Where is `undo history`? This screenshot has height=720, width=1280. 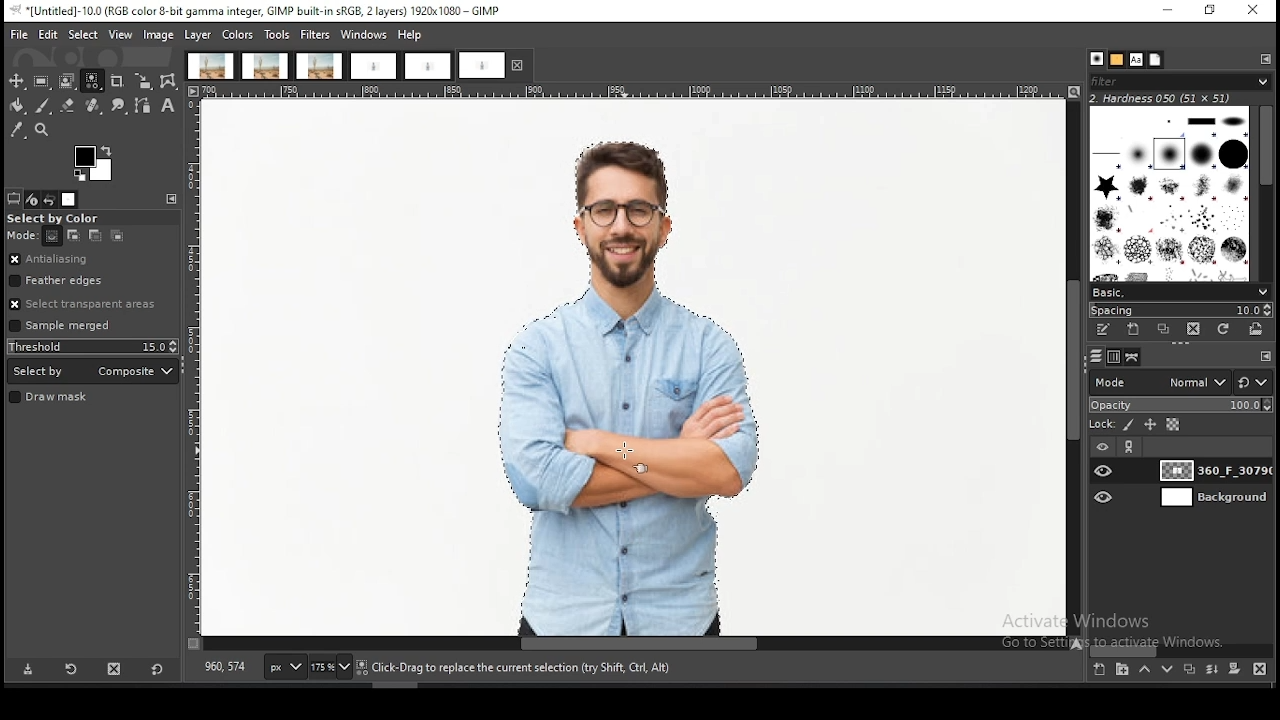 undo history is located at coordinates (49, 200).